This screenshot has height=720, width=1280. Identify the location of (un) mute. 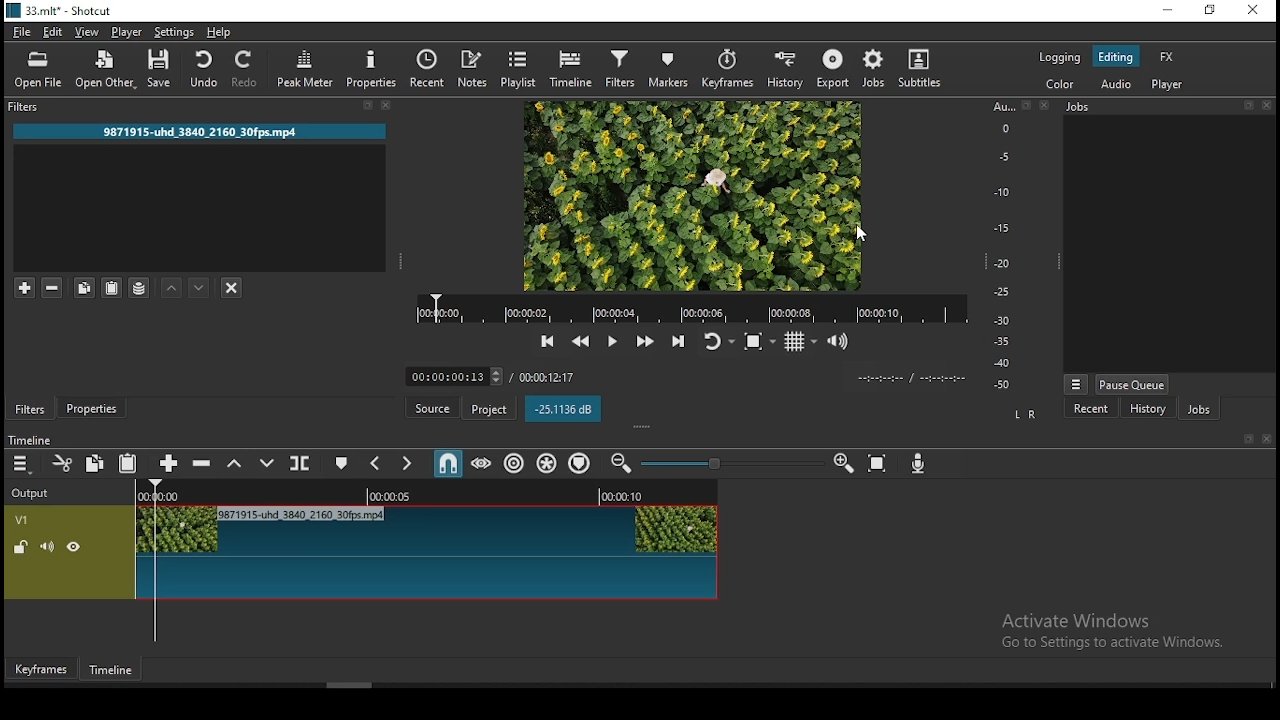
(48, 547).